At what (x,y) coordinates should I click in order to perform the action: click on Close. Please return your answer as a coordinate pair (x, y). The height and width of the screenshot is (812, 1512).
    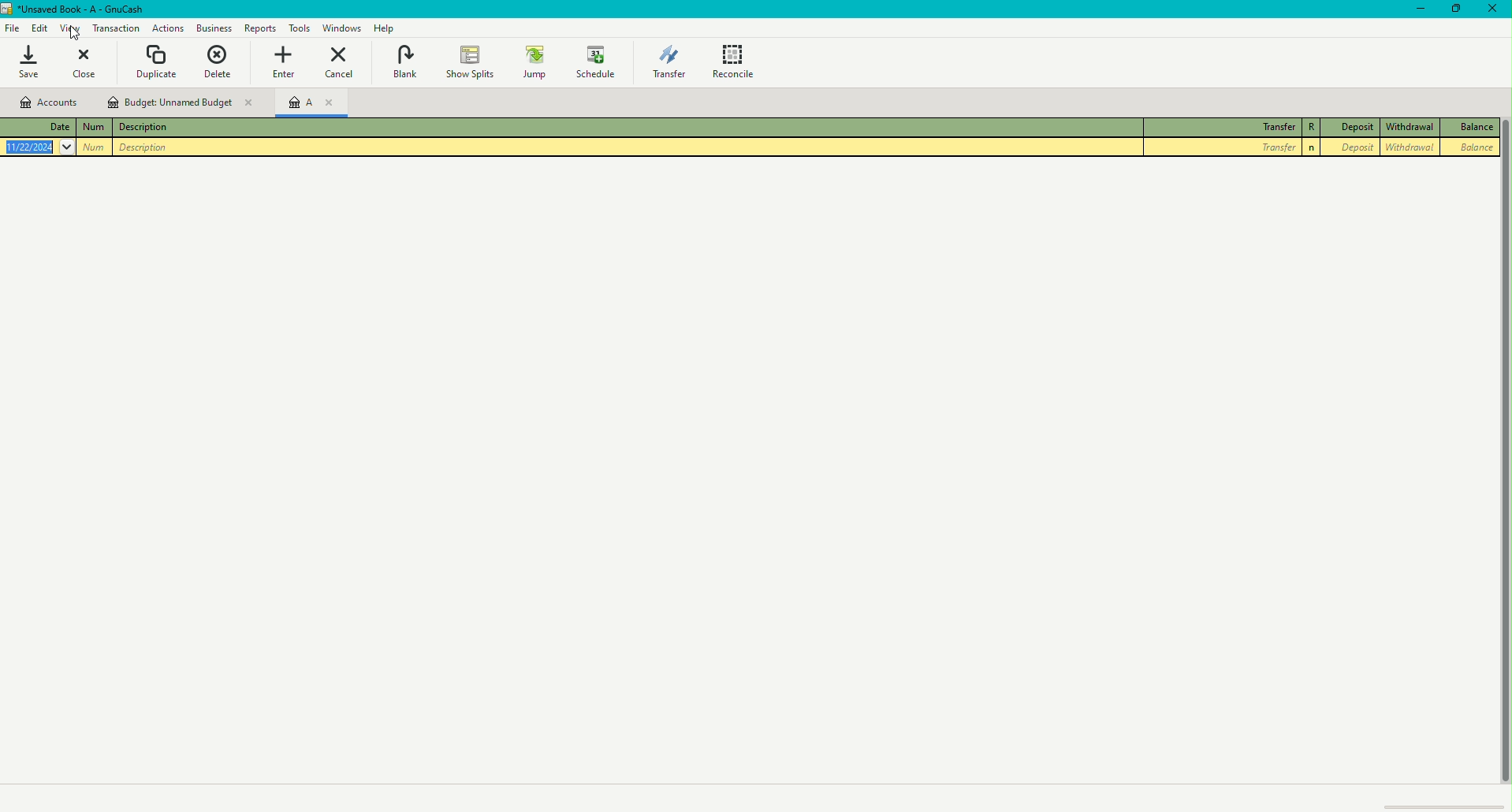
    Looking at the image, I should click on (1493, 13).